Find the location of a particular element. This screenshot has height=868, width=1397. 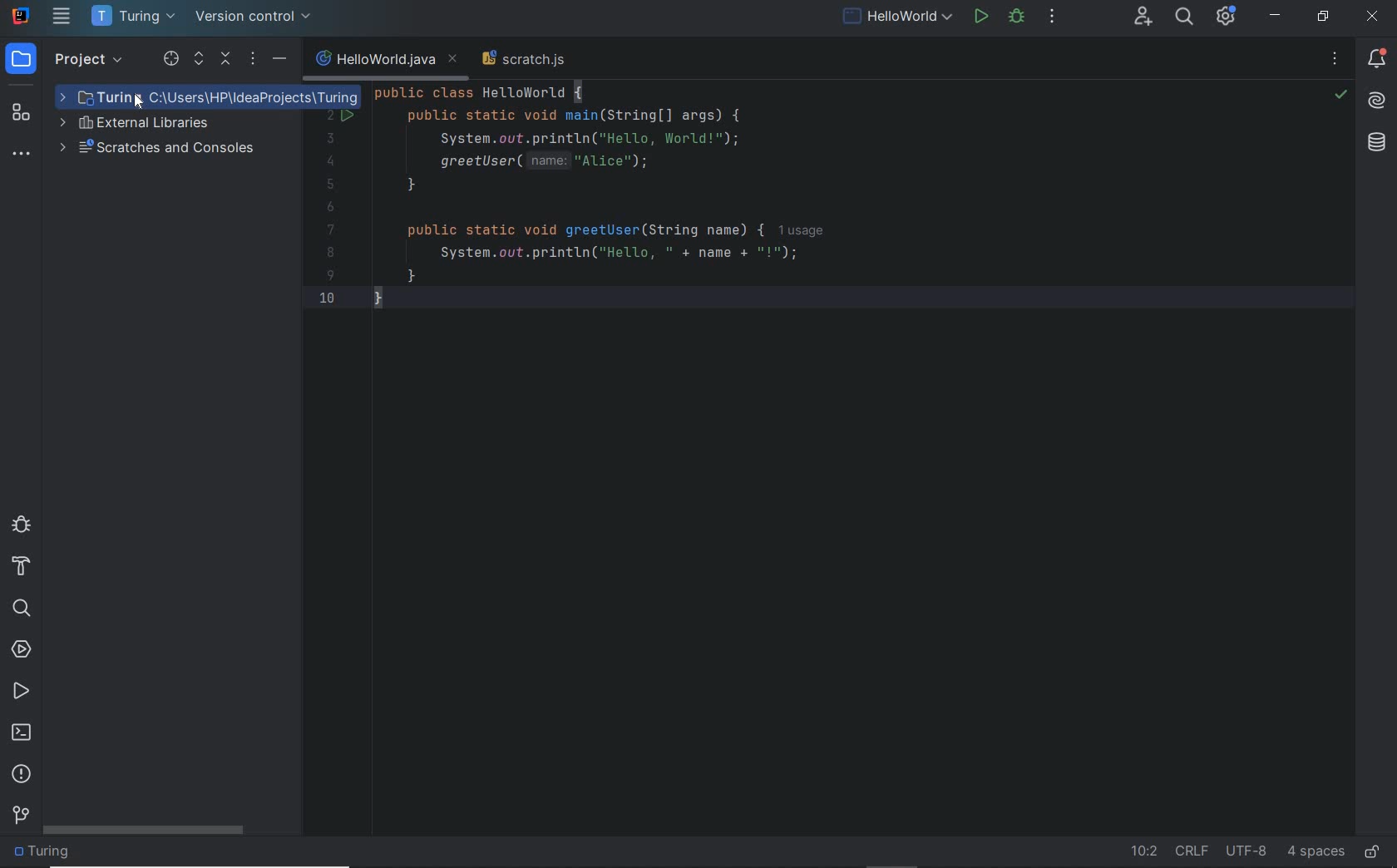

cursor is located at coordinates (132, 97).